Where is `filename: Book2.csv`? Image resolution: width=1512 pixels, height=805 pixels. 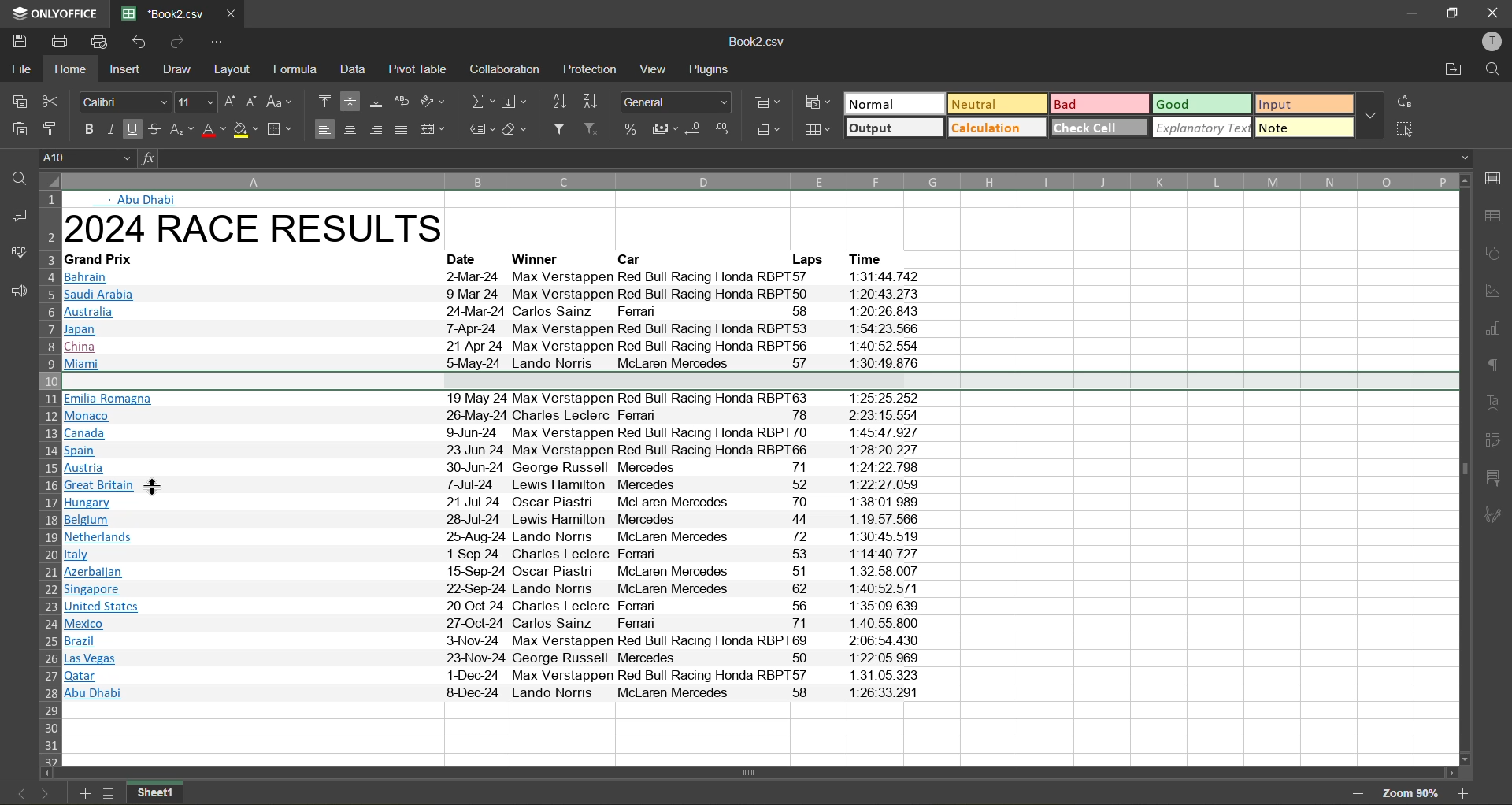 filename: Book2.csv is located at coordinates (165, 14).